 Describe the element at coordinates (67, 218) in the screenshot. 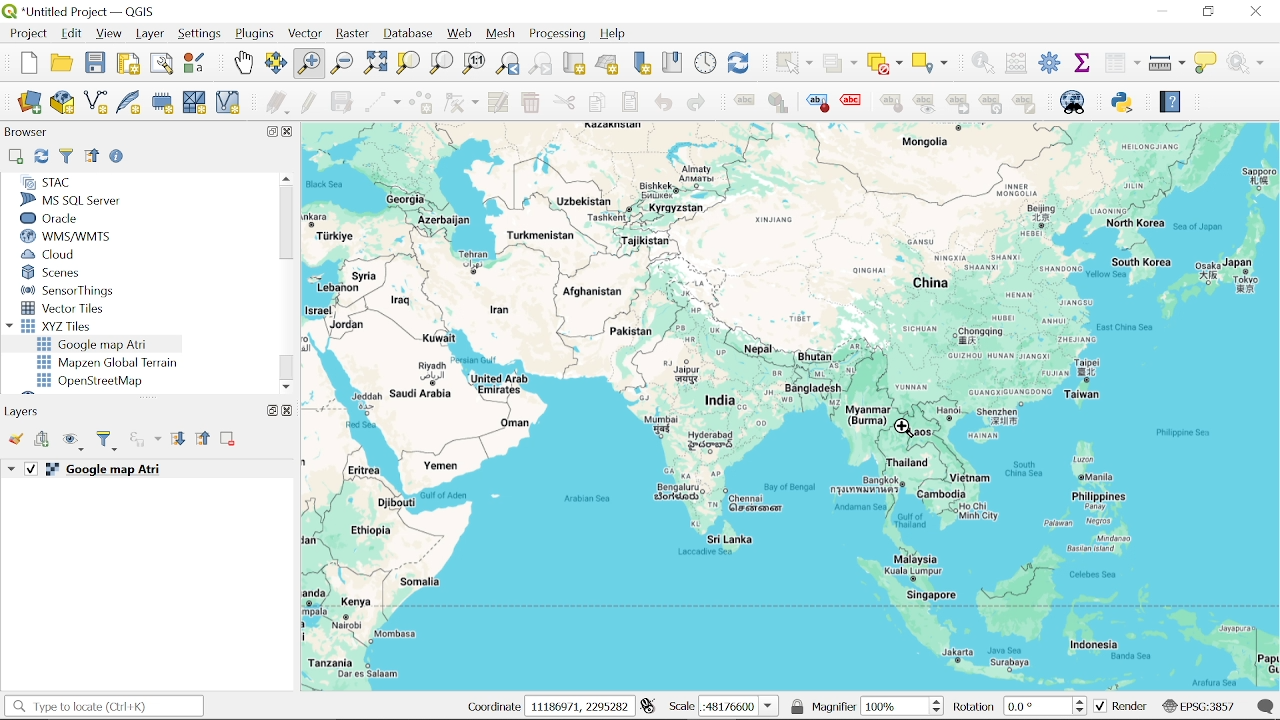

I see `Orade` at that location.